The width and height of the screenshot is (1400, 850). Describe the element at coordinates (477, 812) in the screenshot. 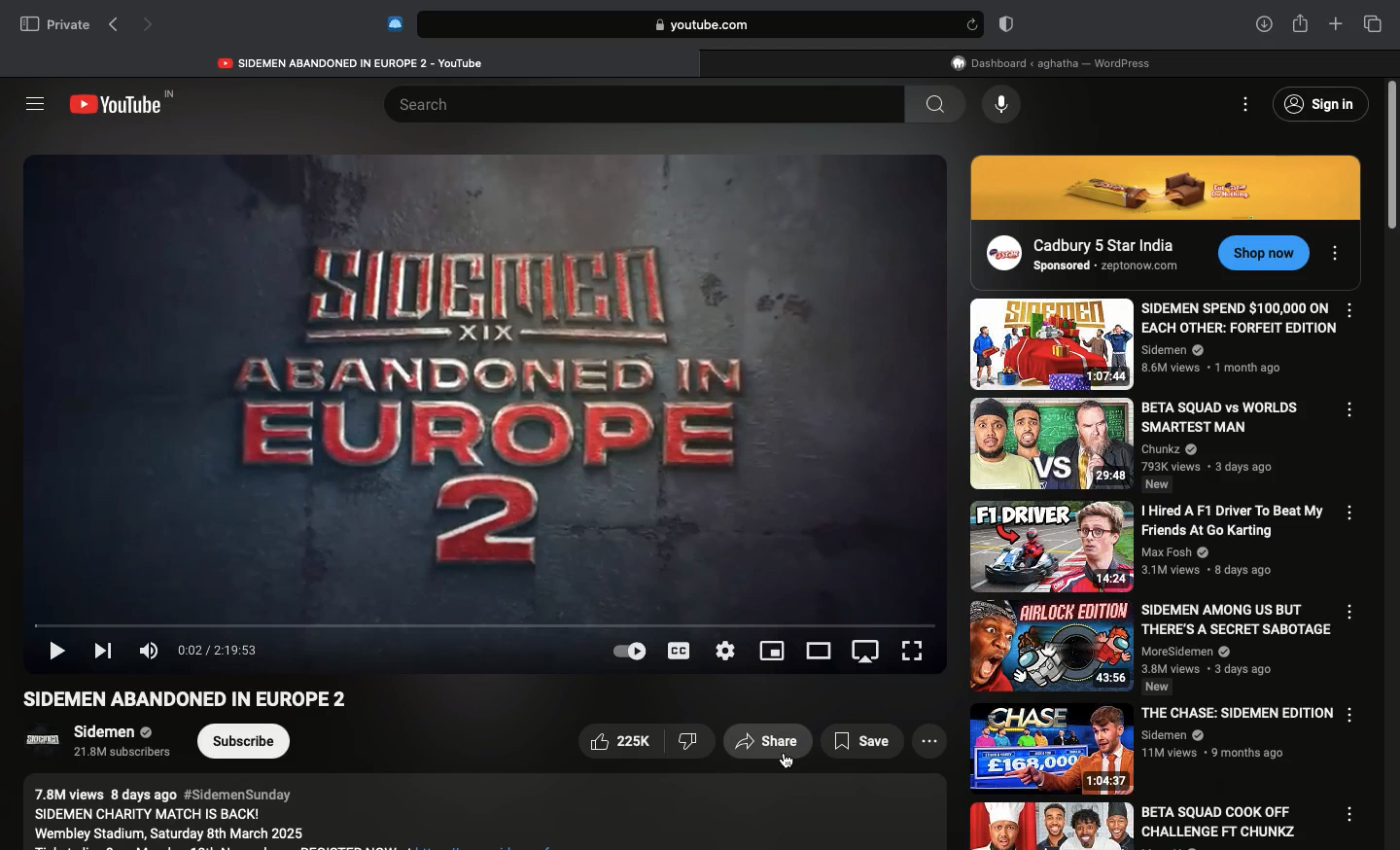

I see `Description` at that location.